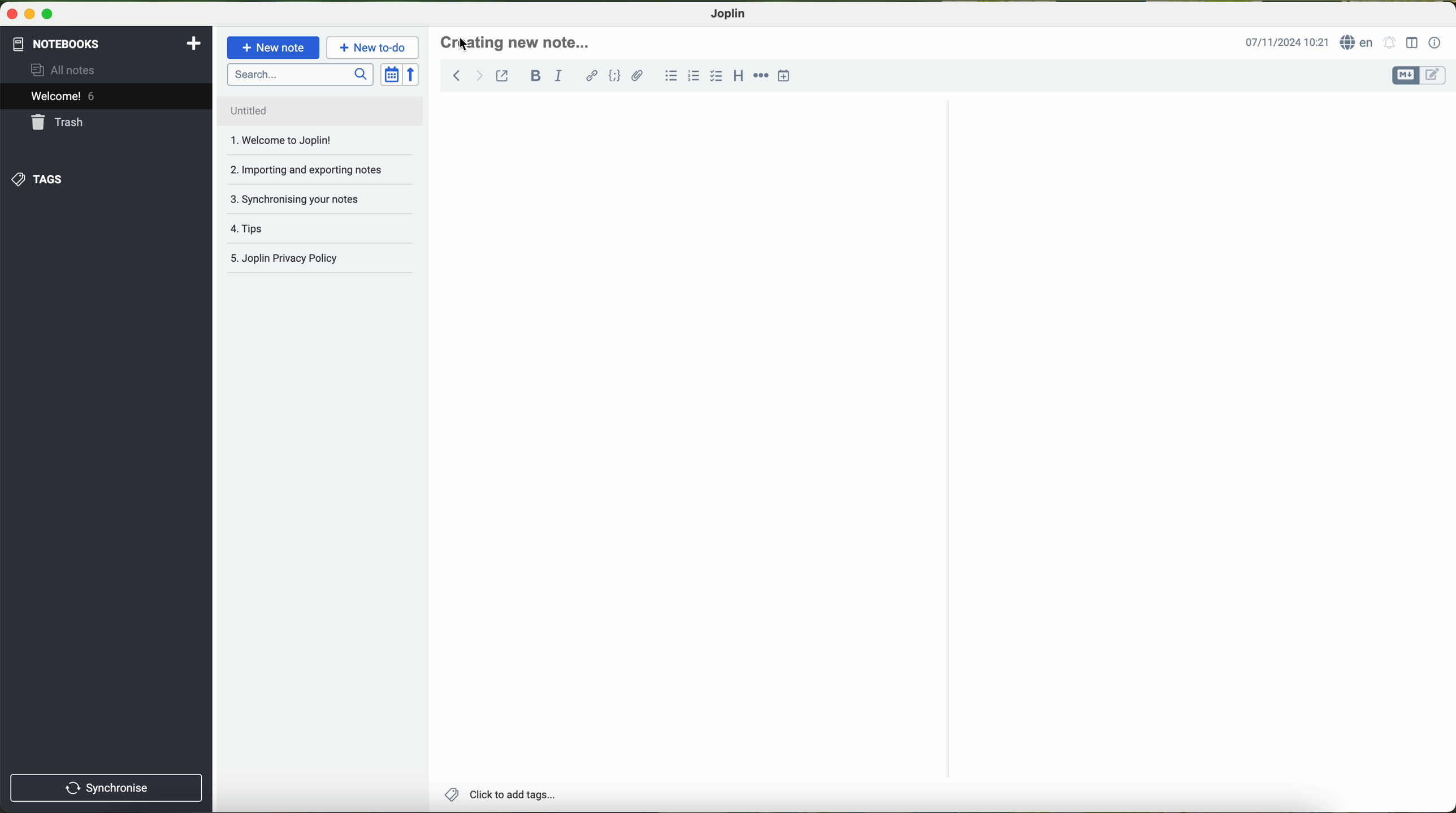 The width and height of the screenshot is (1456, 813). Describe the element at coordinates (616, 76) in the screenshot. I see `code` at that location.